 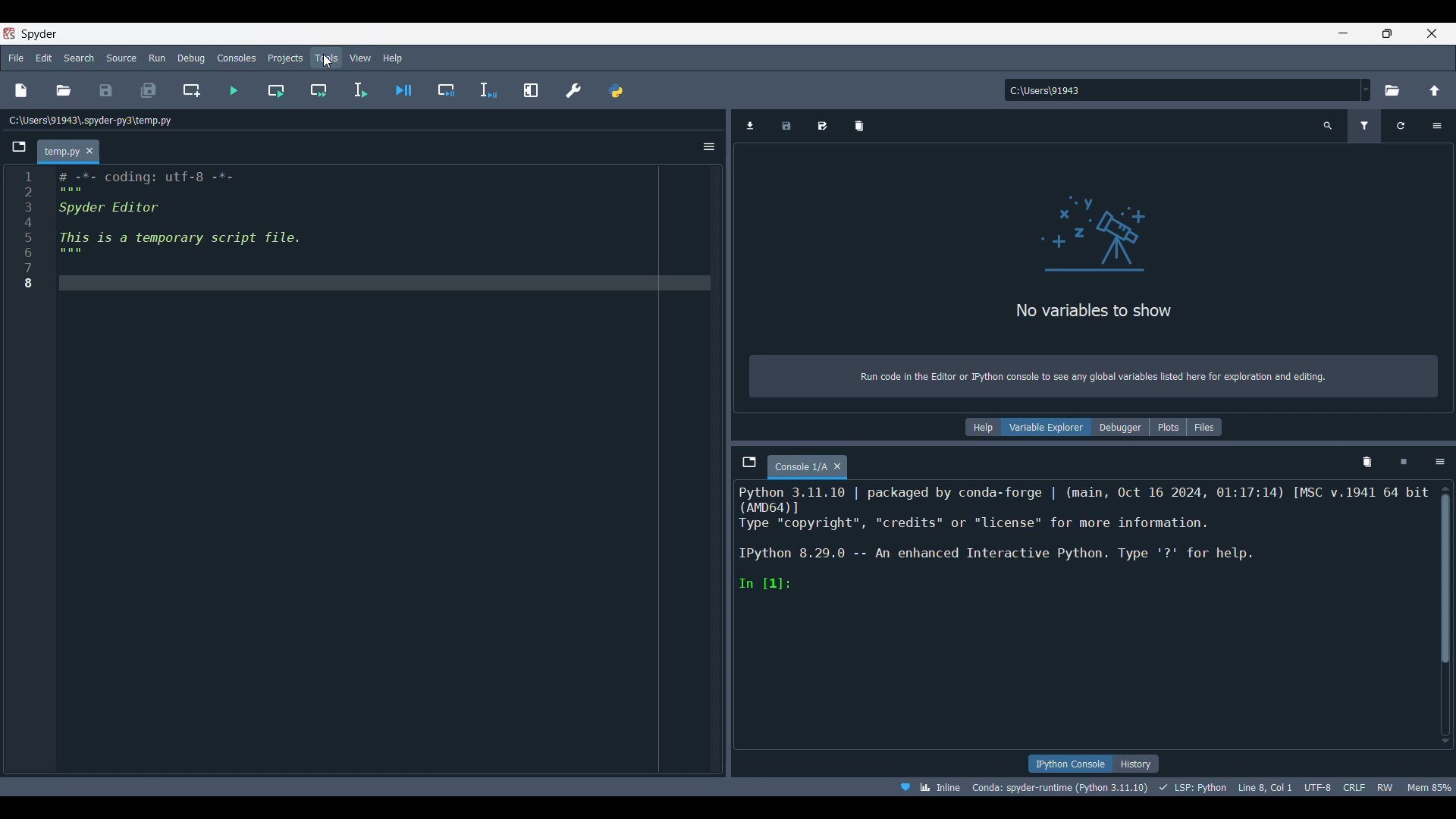 What do you see at coordinates (91, 121) in the screenshot?
I see `Current file location` at bounding box center [91, 121].